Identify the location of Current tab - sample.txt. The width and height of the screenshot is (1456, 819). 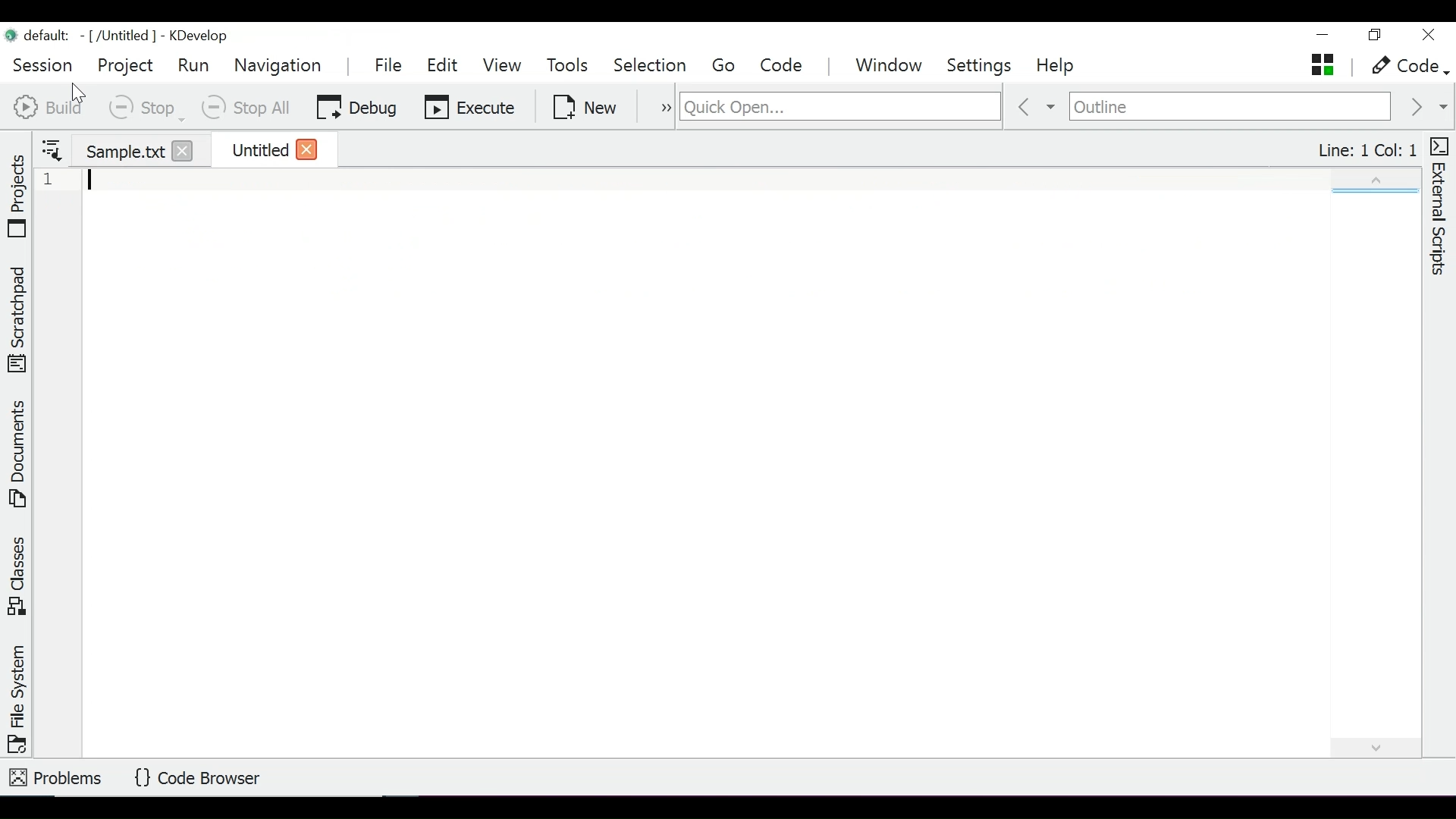
(117, 147).